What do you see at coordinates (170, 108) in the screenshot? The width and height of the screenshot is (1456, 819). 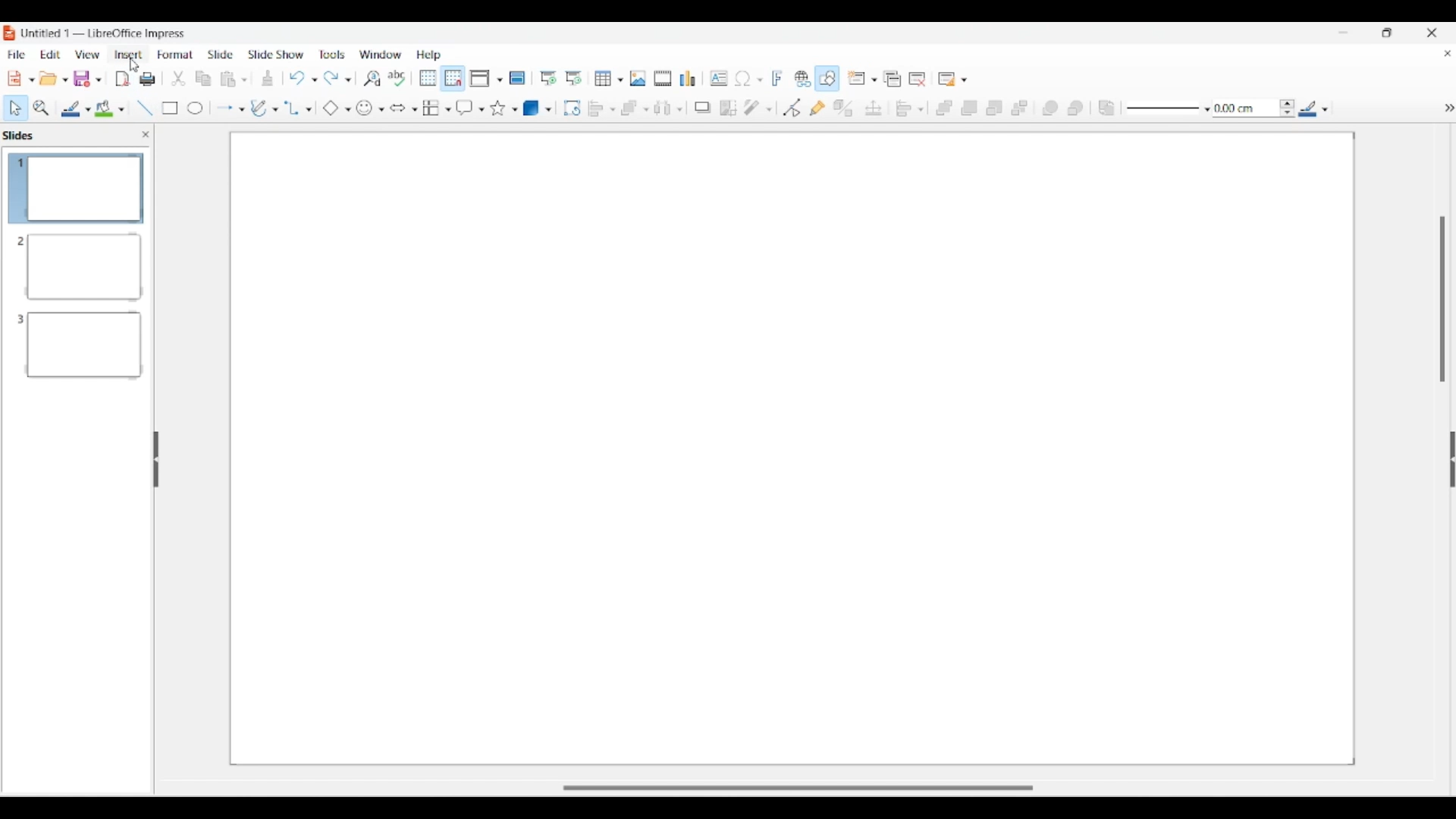 I see `Insert rectangle` at bounding box center [170, 108].